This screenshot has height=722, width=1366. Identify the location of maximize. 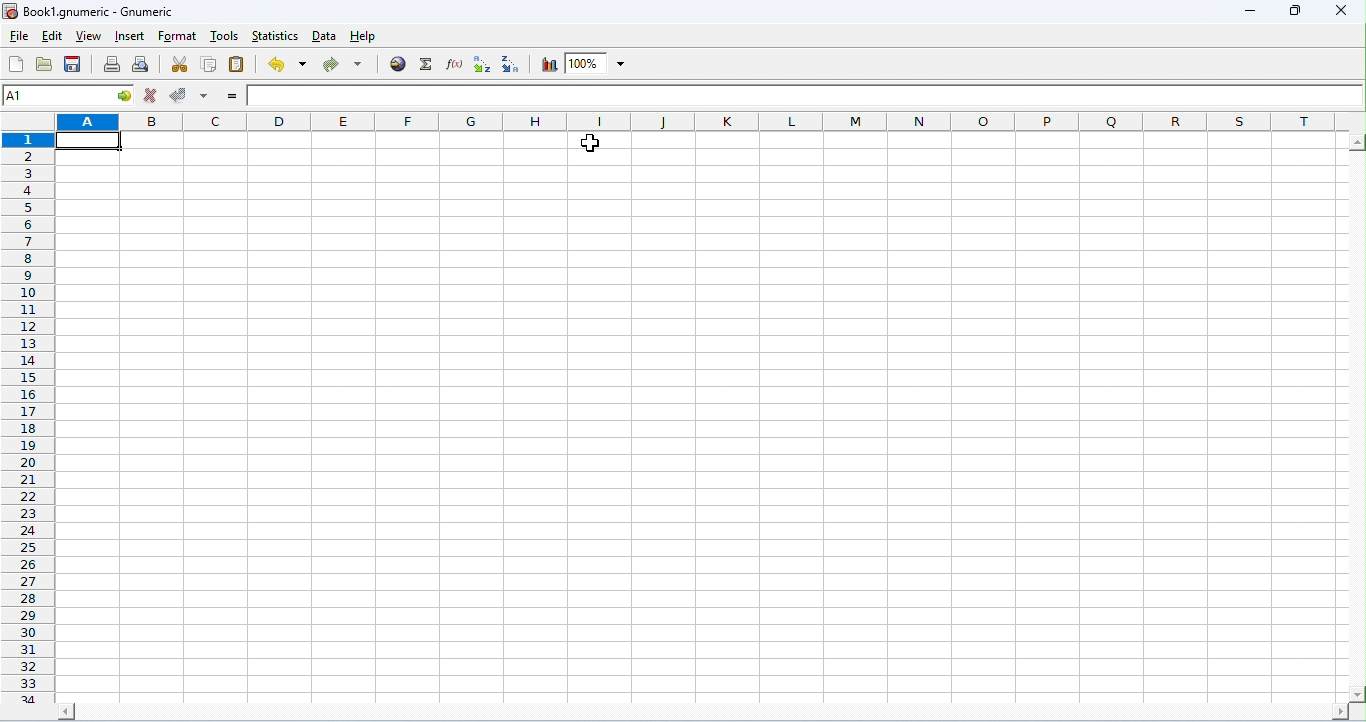
(1293, 9).